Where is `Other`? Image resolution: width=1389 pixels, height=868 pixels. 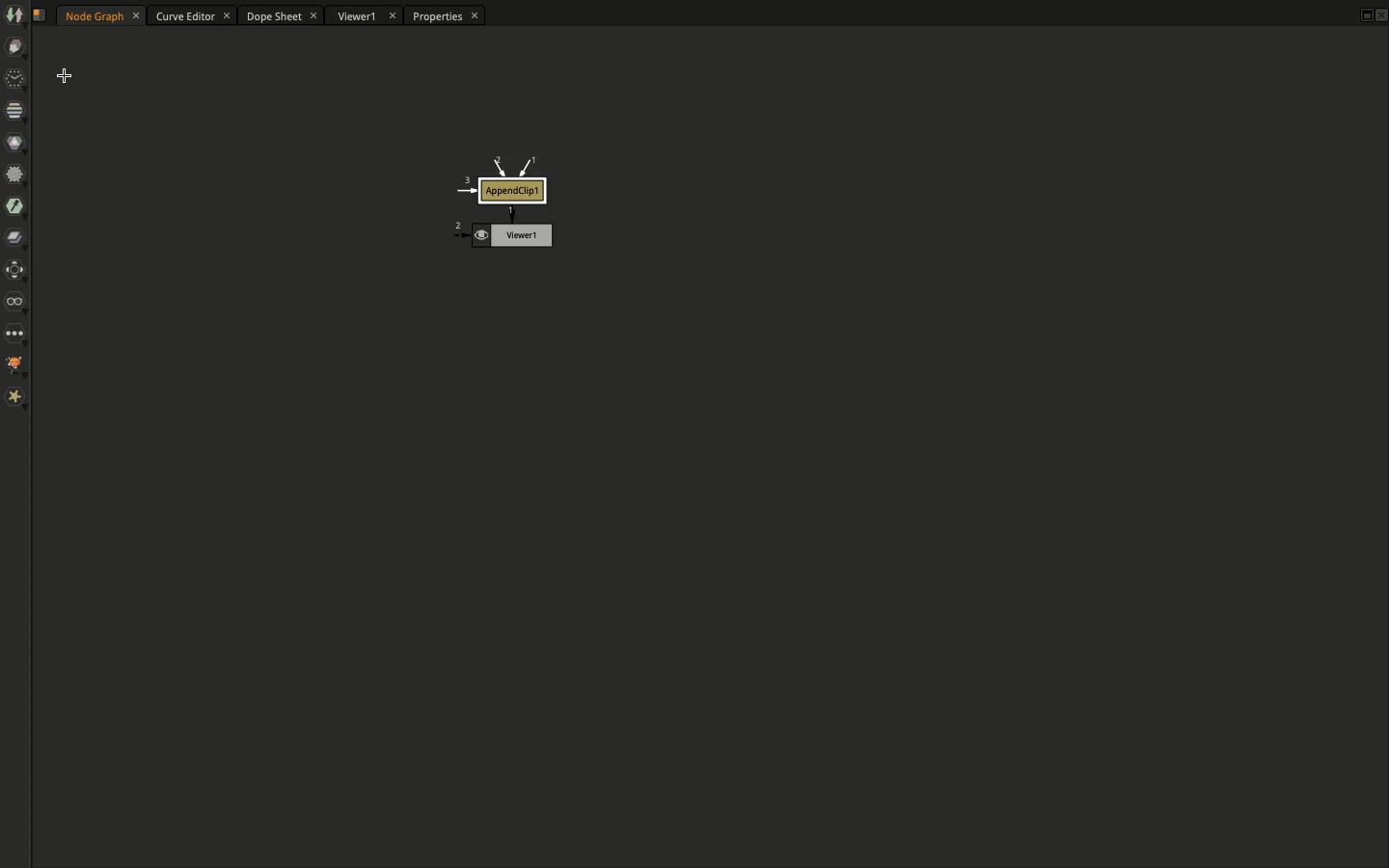
Other is located at coordinates (15, 333).